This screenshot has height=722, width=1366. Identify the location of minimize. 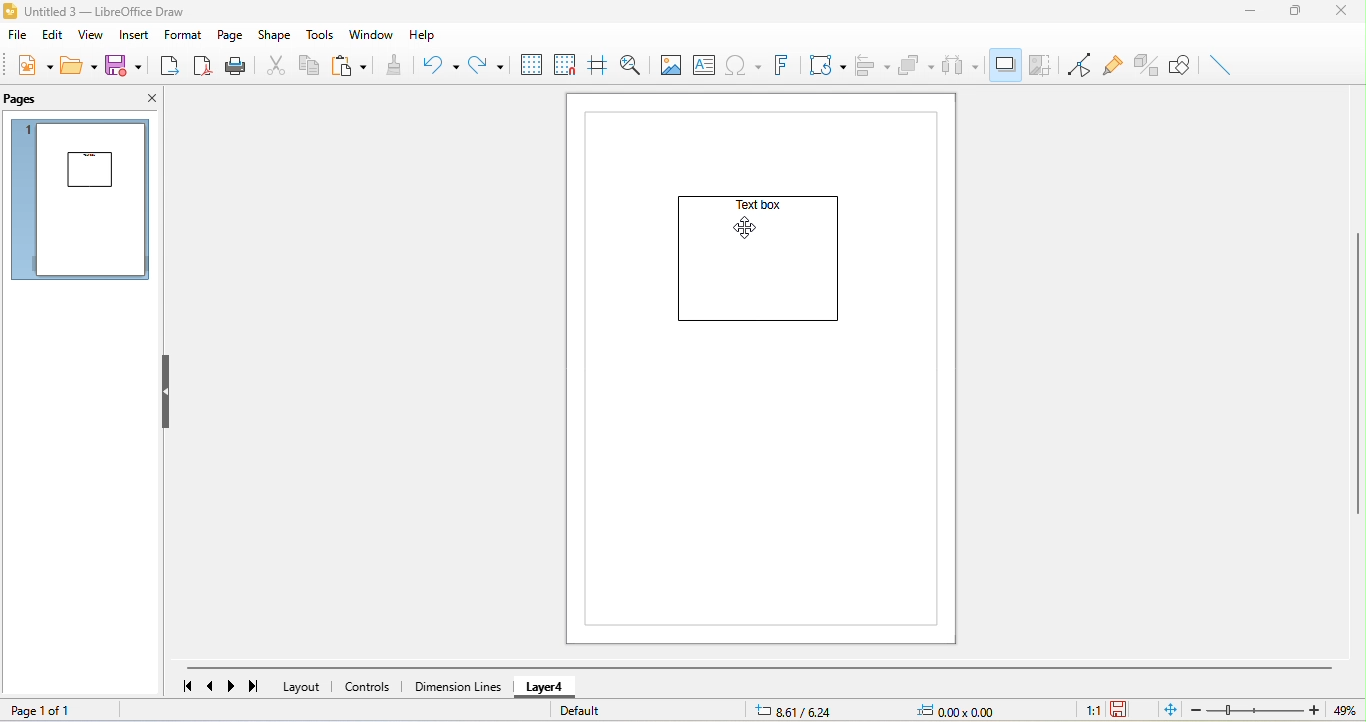
(1253, 11).